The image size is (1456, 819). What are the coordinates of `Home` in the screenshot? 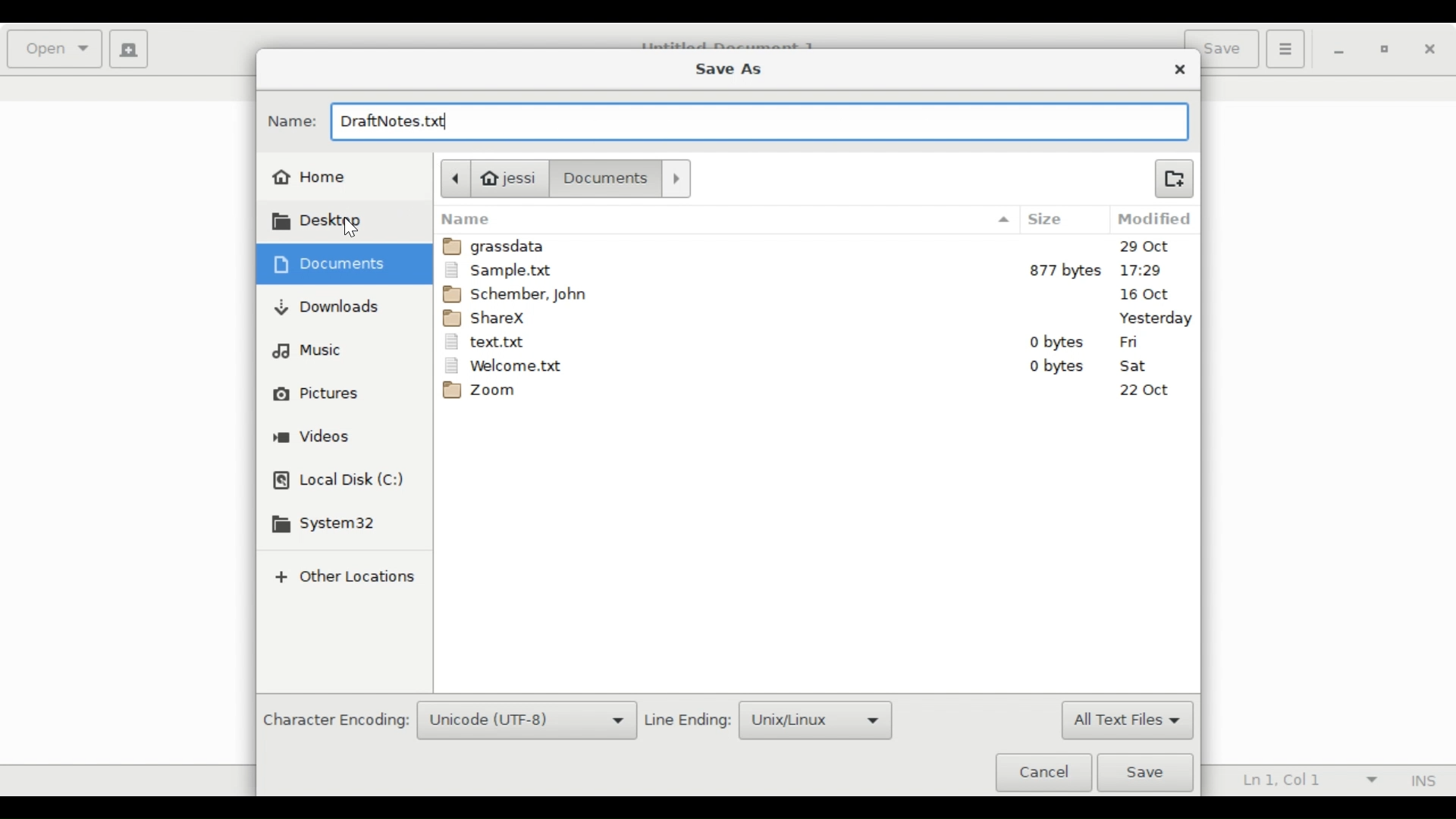 It's located at (311, 175).